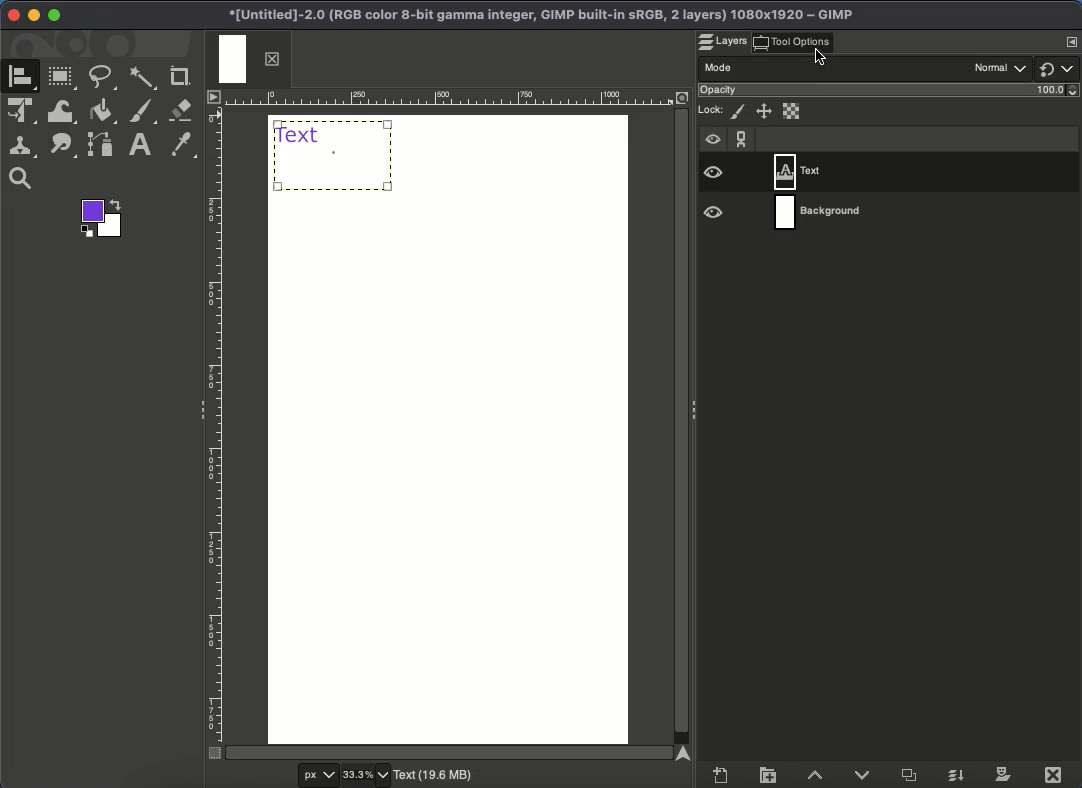 This screenshot has width=1082, height=788. Describe the element at coordinates (34, 16) in the screenshot. I see `Minimize` at that location.